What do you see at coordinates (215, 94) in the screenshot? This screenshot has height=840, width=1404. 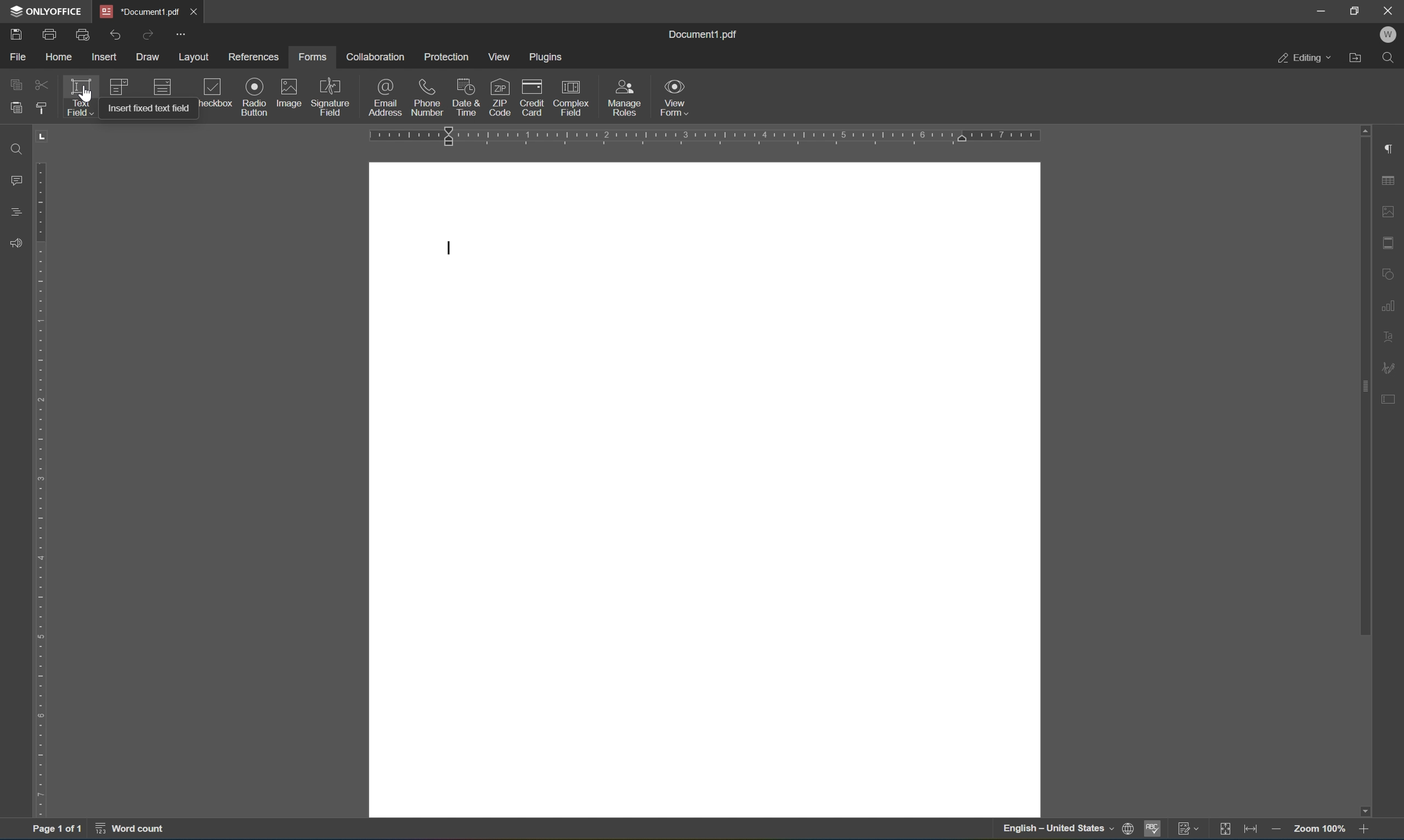 I see `checkbox` at bounding box center [215, 94].